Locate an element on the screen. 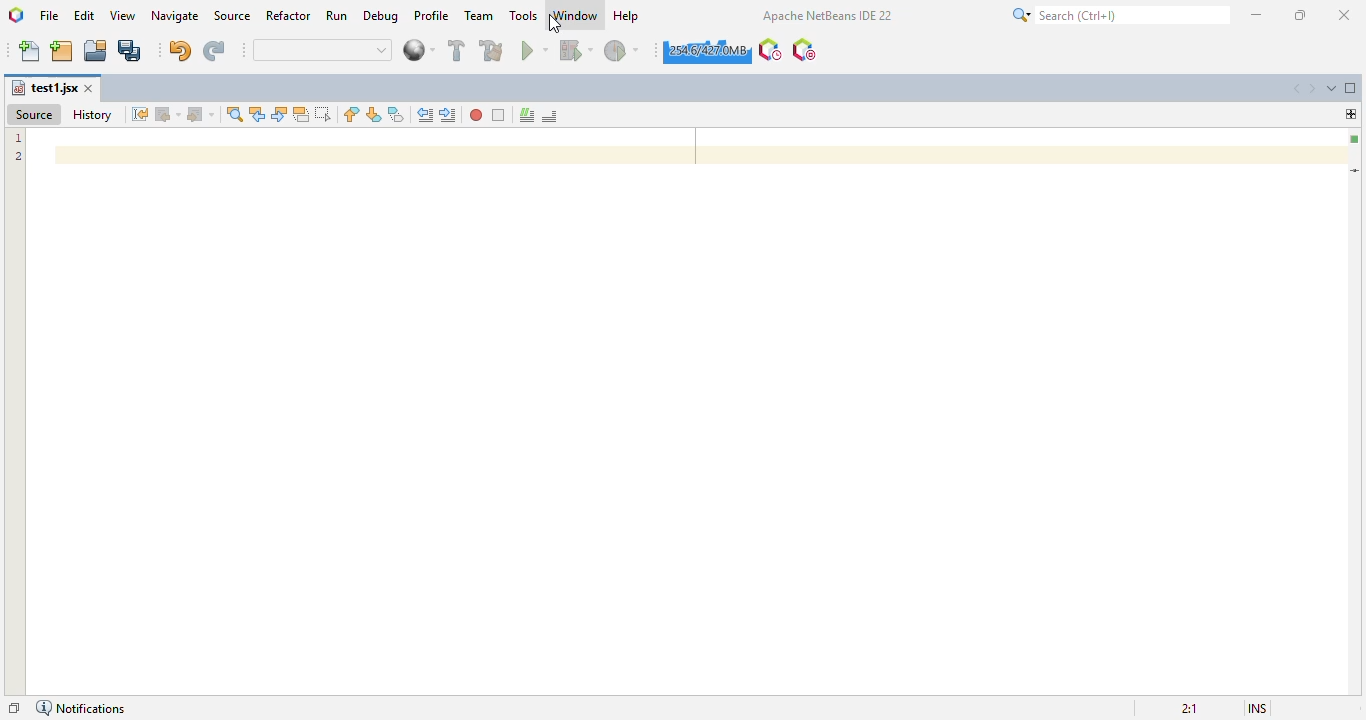 The width and height of the screenshot is (1366, 720). find selection is located at coordinates (235, 114).